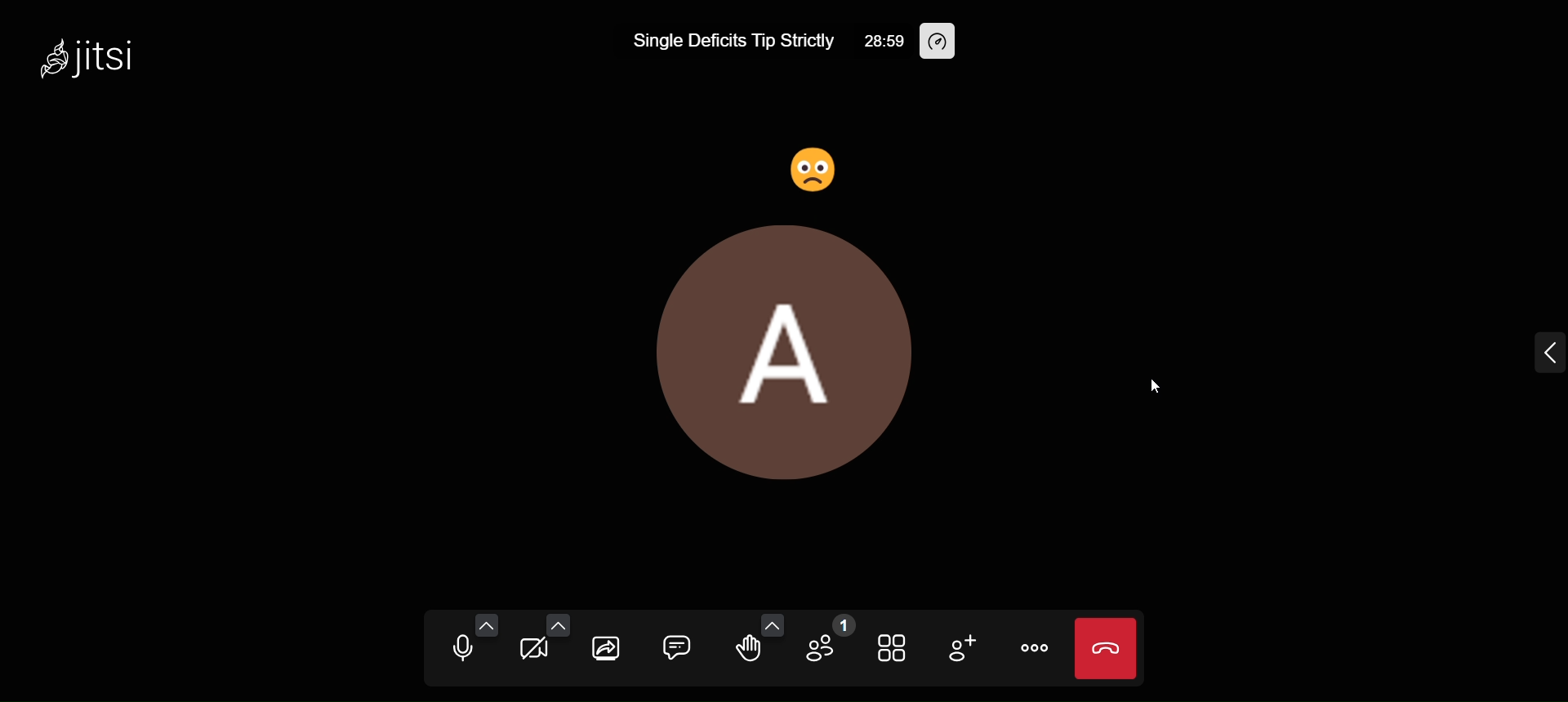  What do you see at coordinates (1540, 345) in the screenshot?
I see `expand` at bounding box center [1540, 345].